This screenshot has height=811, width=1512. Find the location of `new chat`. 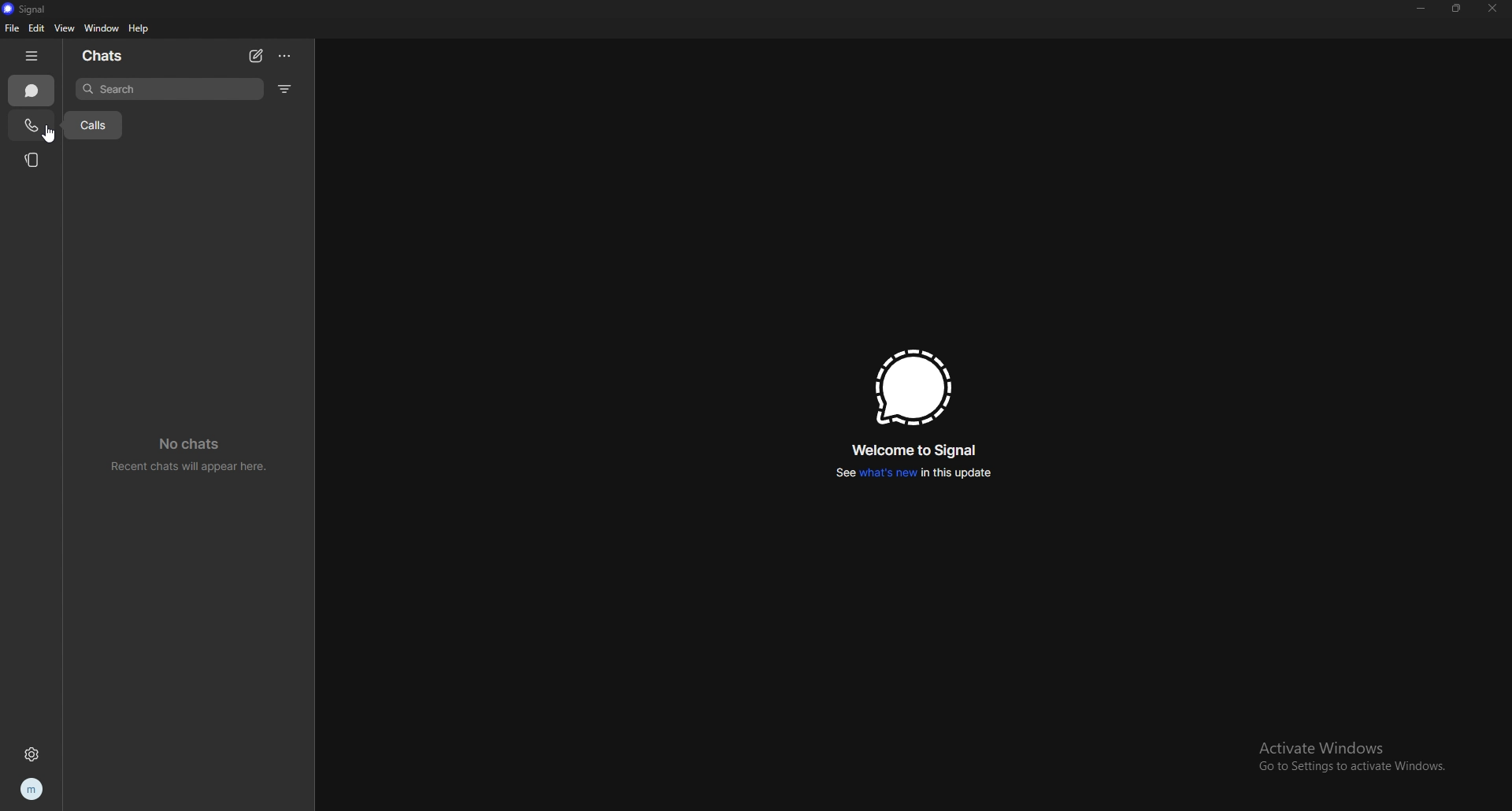

new chat is located at coordinates (256, 55).